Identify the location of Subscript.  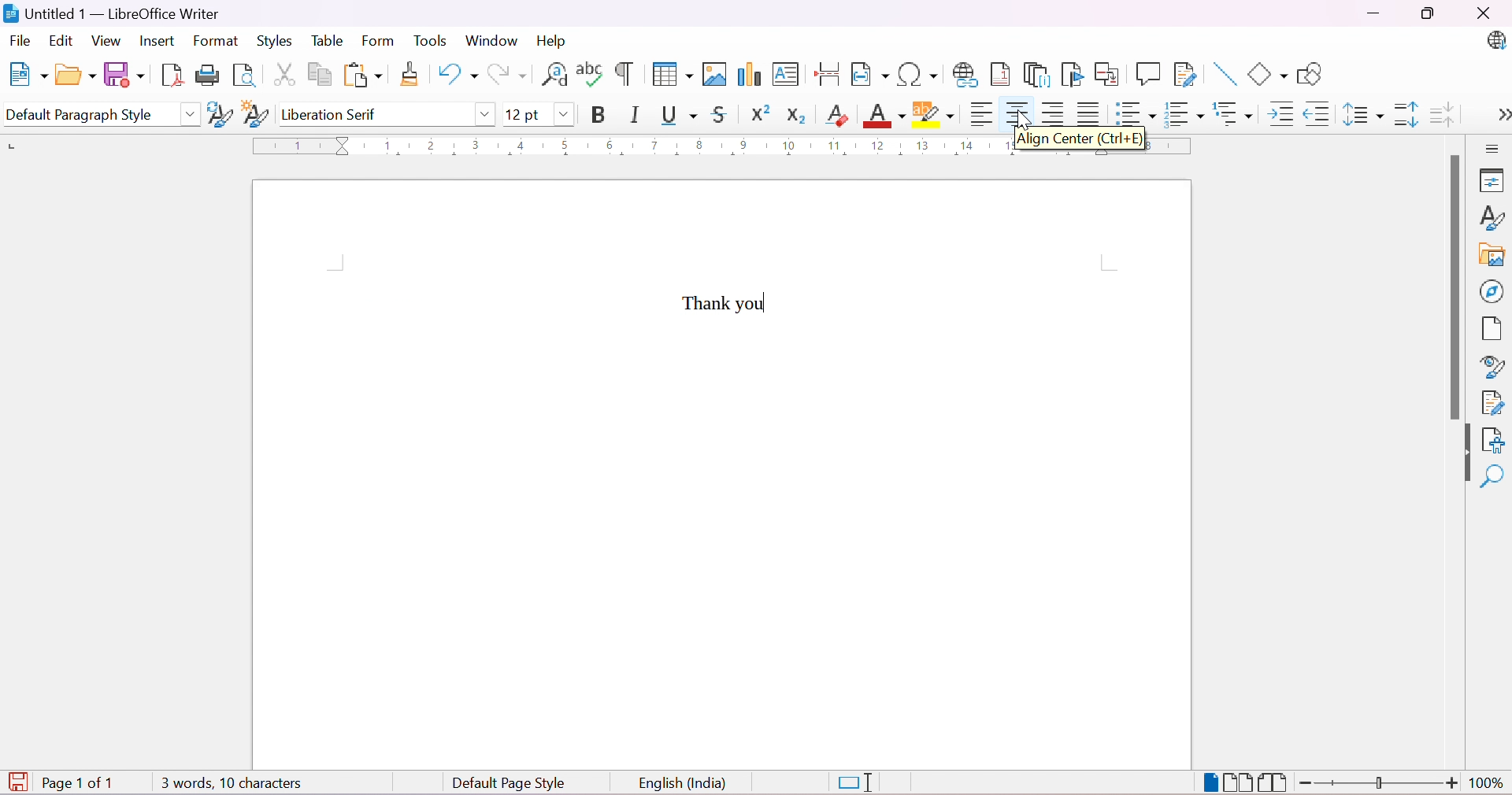
(795, 116).